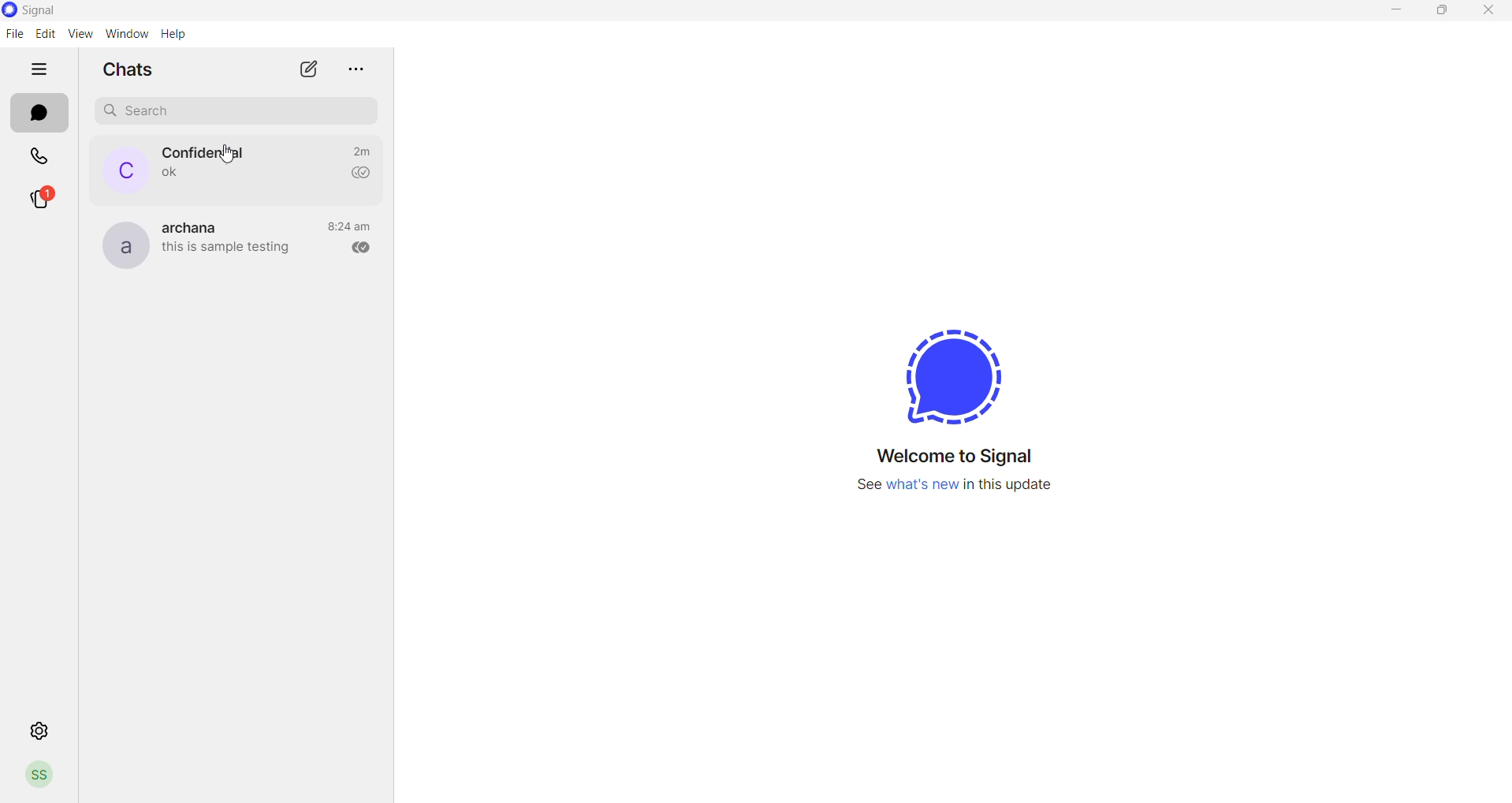 Image resolution: width=1512 pixels, height=803 pixels. Describe the element at coordinates (39, 732) in the screenshot. I see `settings` at that location.